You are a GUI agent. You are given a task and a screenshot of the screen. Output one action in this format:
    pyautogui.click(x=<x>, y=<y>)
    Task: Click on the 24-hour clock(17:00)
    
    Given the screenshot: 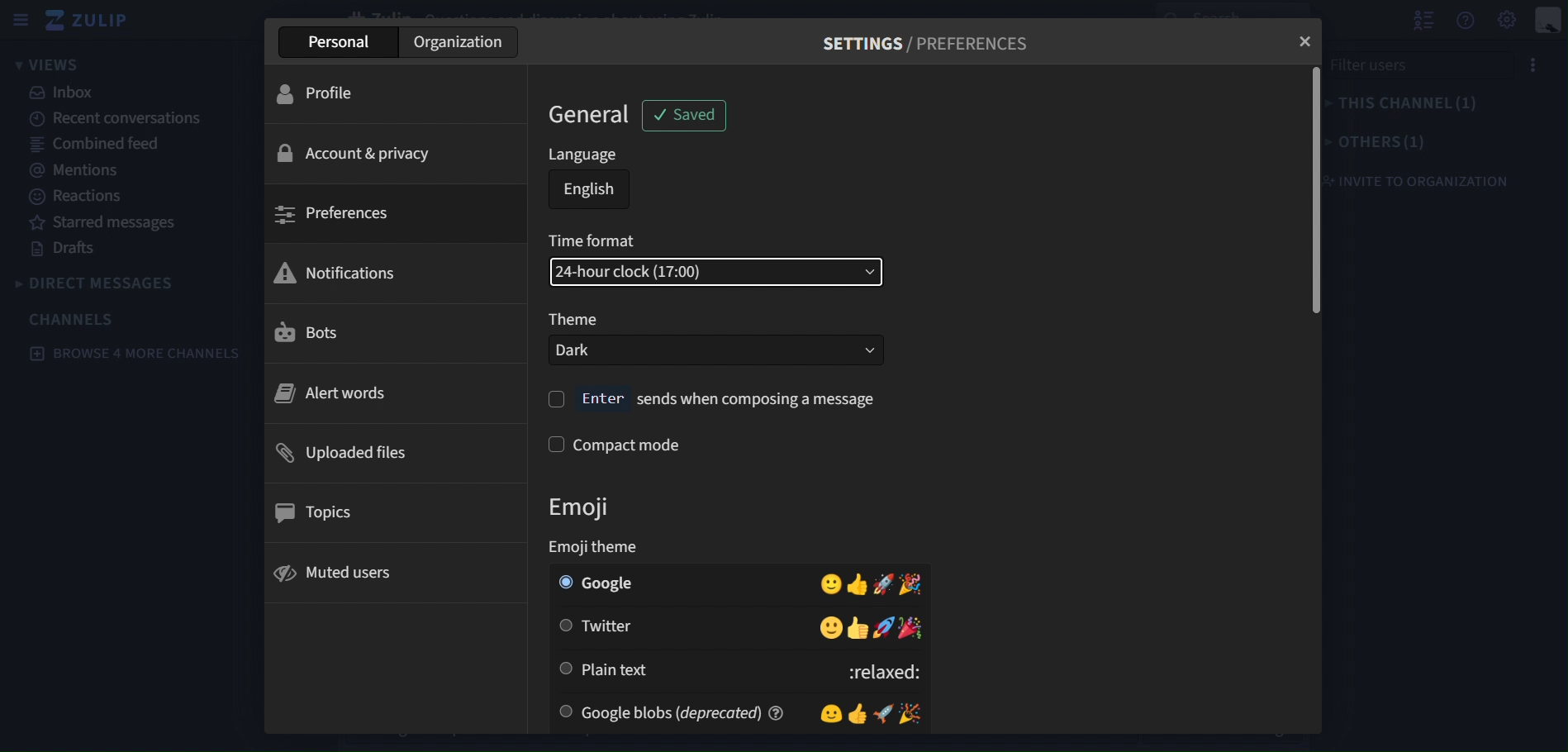 What is the action you would take?
    pyautogui.click(x=720, y=271)
    